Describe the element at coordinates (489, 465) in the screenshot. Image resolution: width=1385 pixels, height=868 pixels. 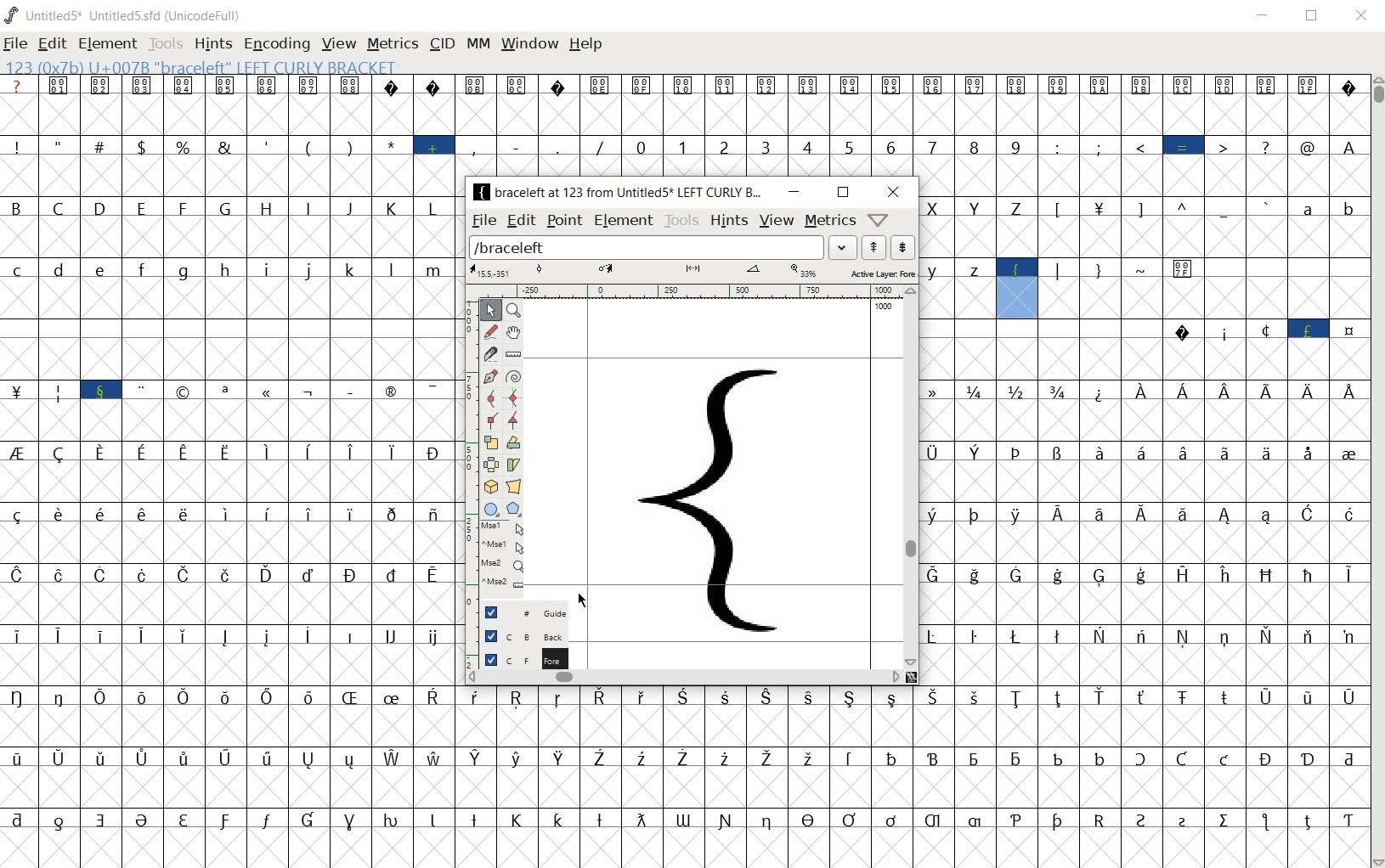
I see `flip the selection` at that location.